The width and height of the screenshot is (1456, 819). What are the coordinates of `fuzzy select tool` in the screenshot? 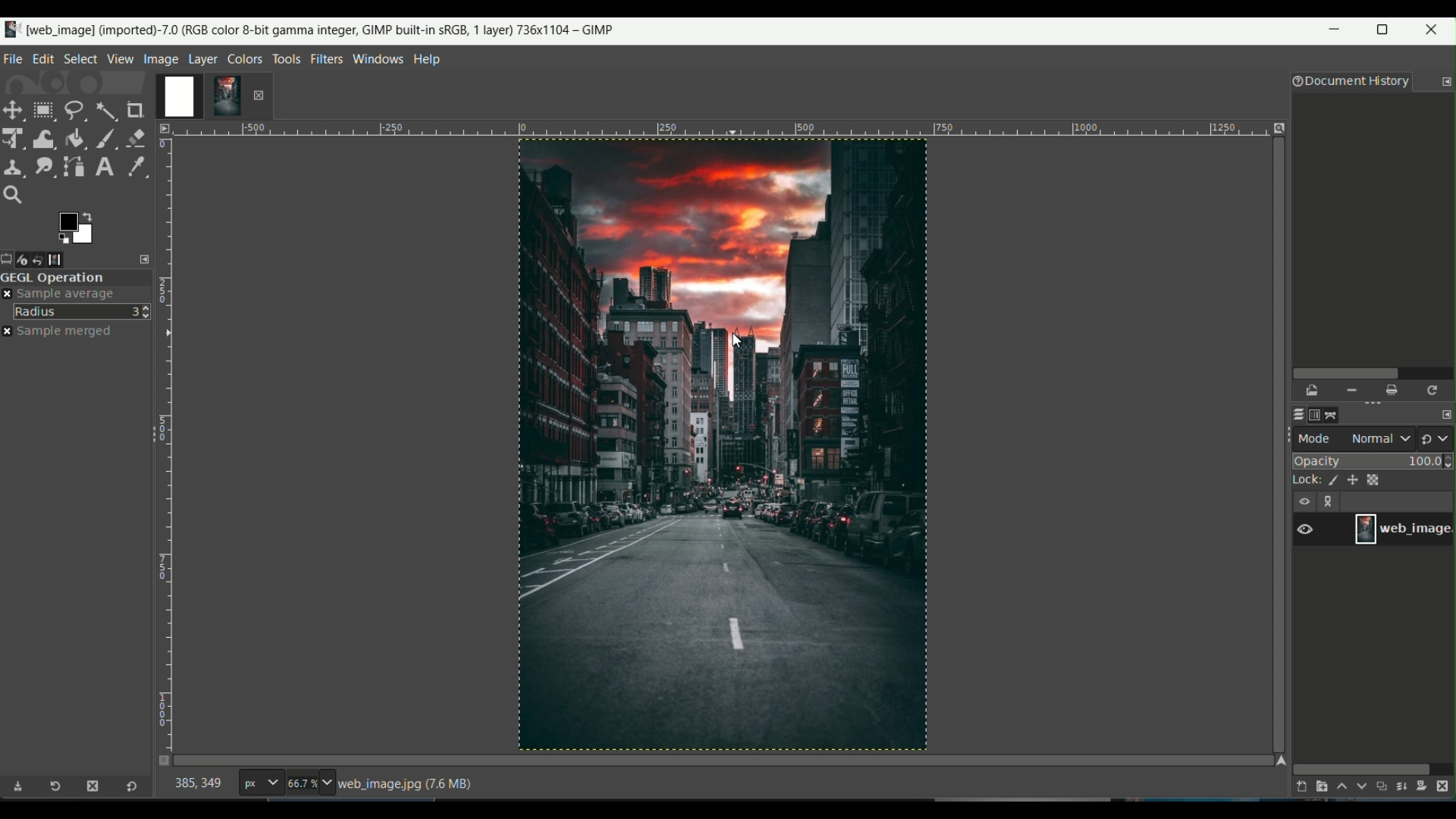 It's located at (105, 109).